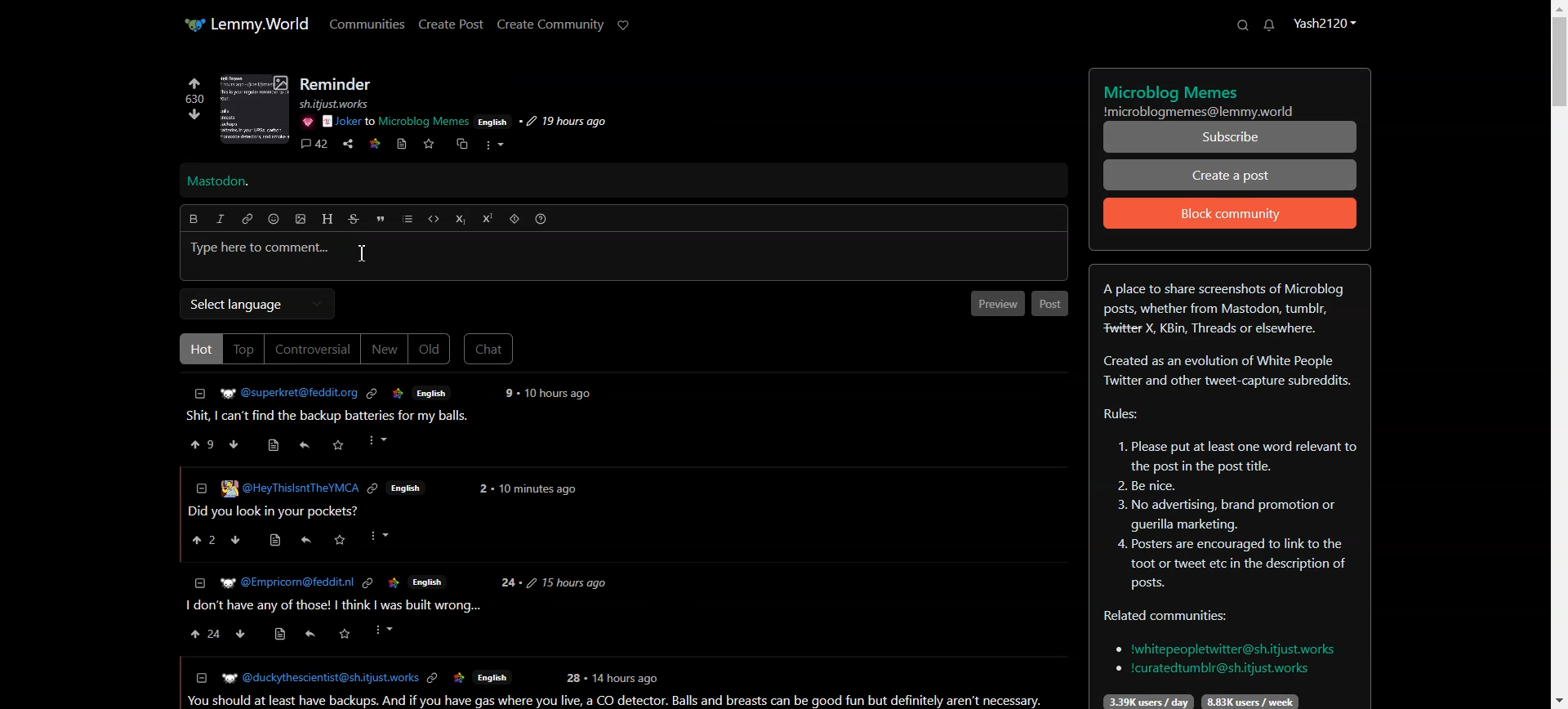 This screenshot has width=1568, height=709. Describe the element at coordinates (252, 109) in the screenshot. I see `Profile picture` at that location.